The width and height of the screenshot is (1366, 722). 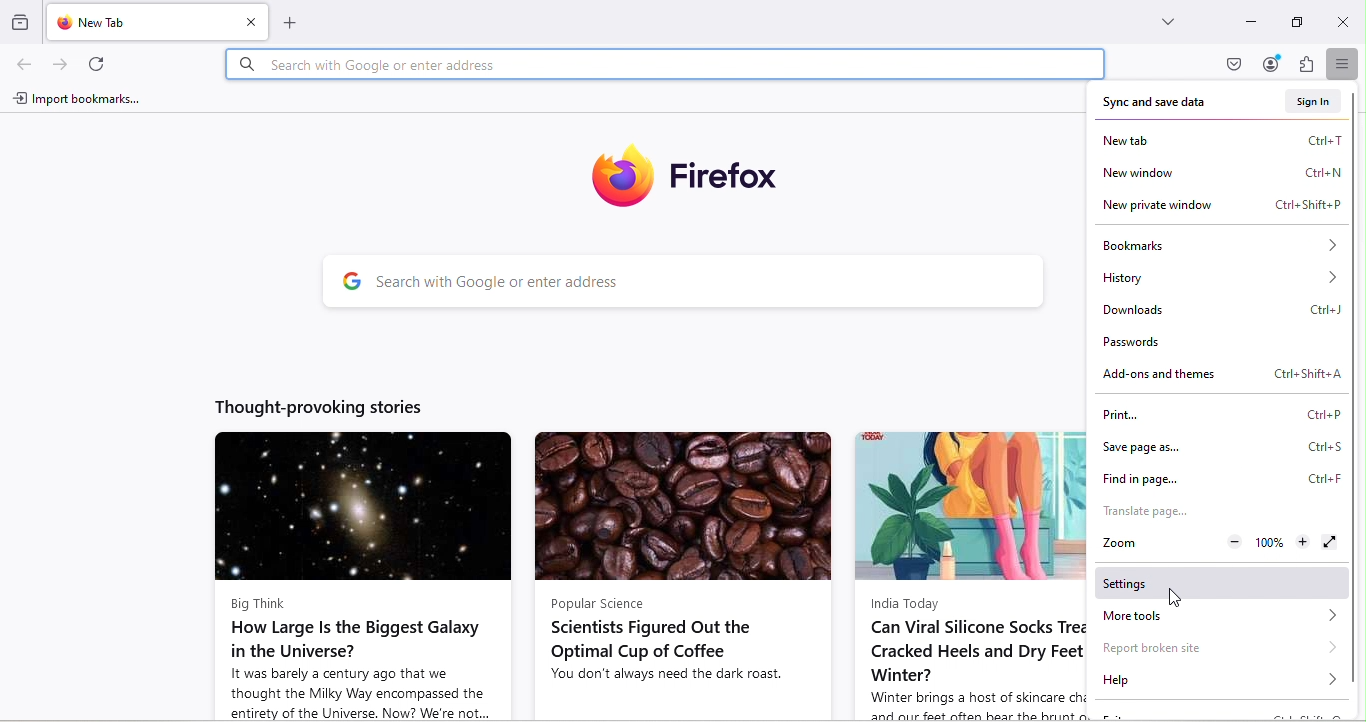 I want to click on close tab, so click(x=248, y=18).